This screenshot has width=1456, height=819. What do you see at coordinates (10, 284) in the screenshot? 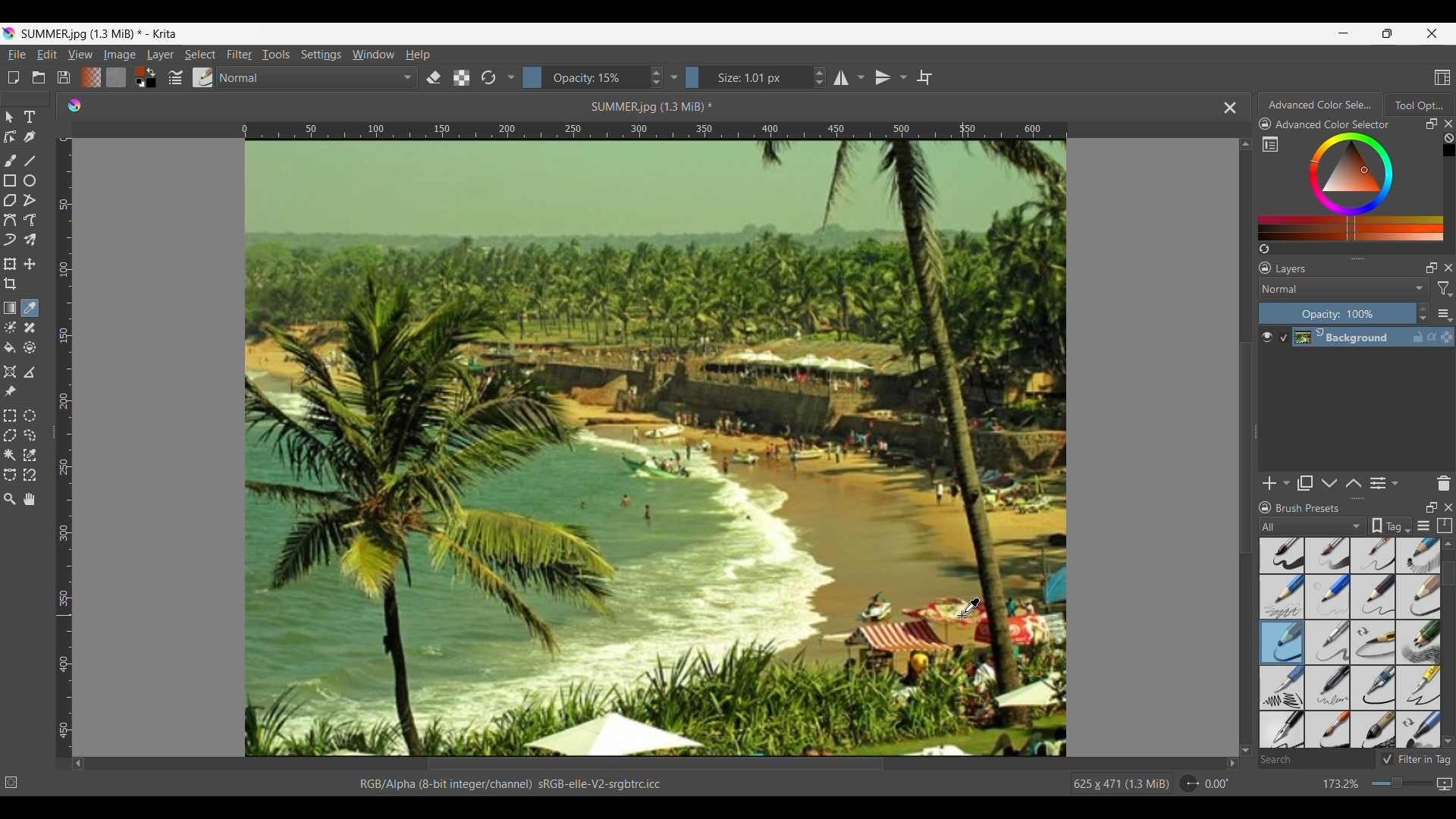
I see `Crop tool` at bounding box center [10, 284].